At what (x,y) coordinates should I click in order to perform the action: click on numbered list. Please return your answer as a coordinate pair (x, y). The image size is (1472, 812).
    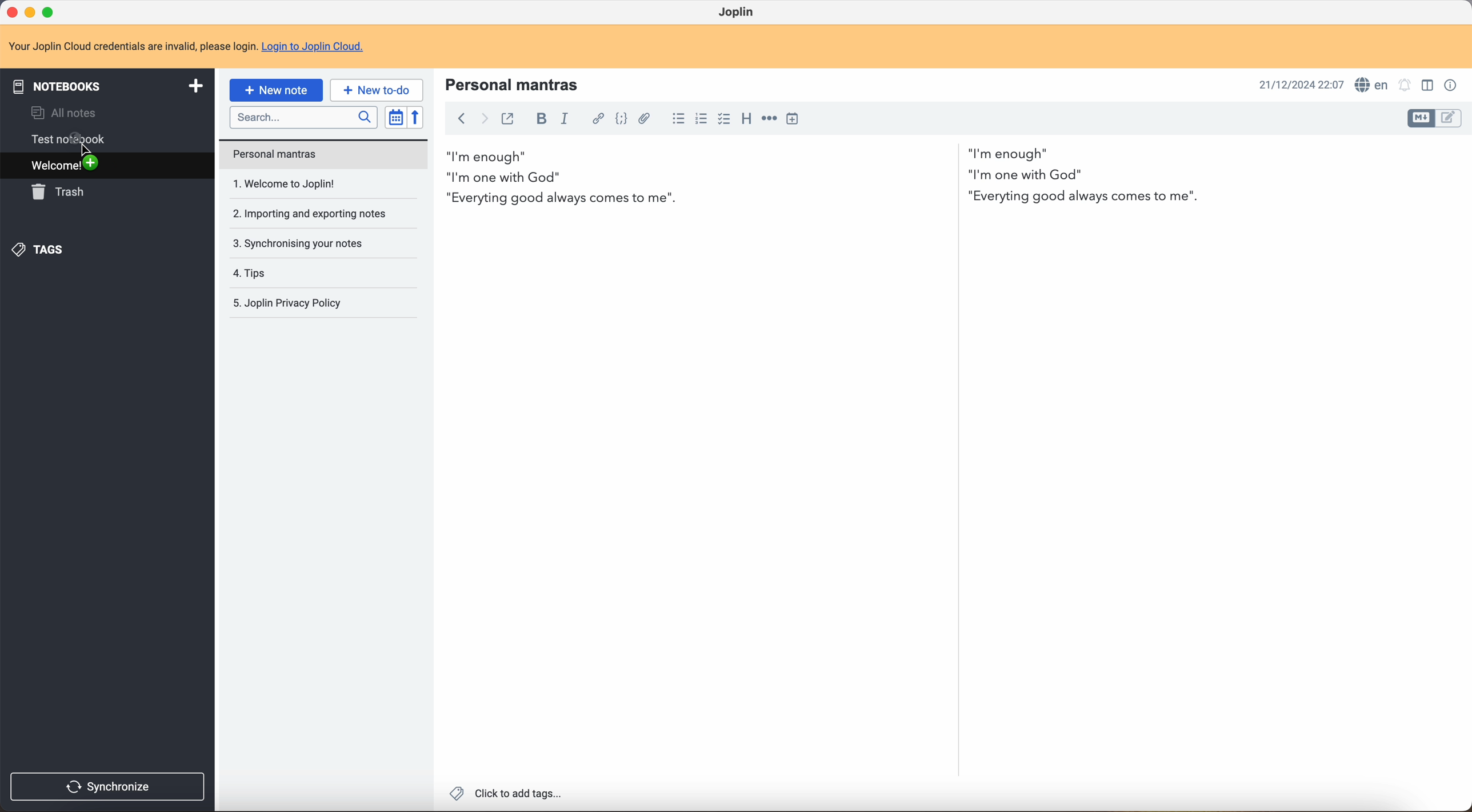
    Looking at the image, I should click on (703, 118).